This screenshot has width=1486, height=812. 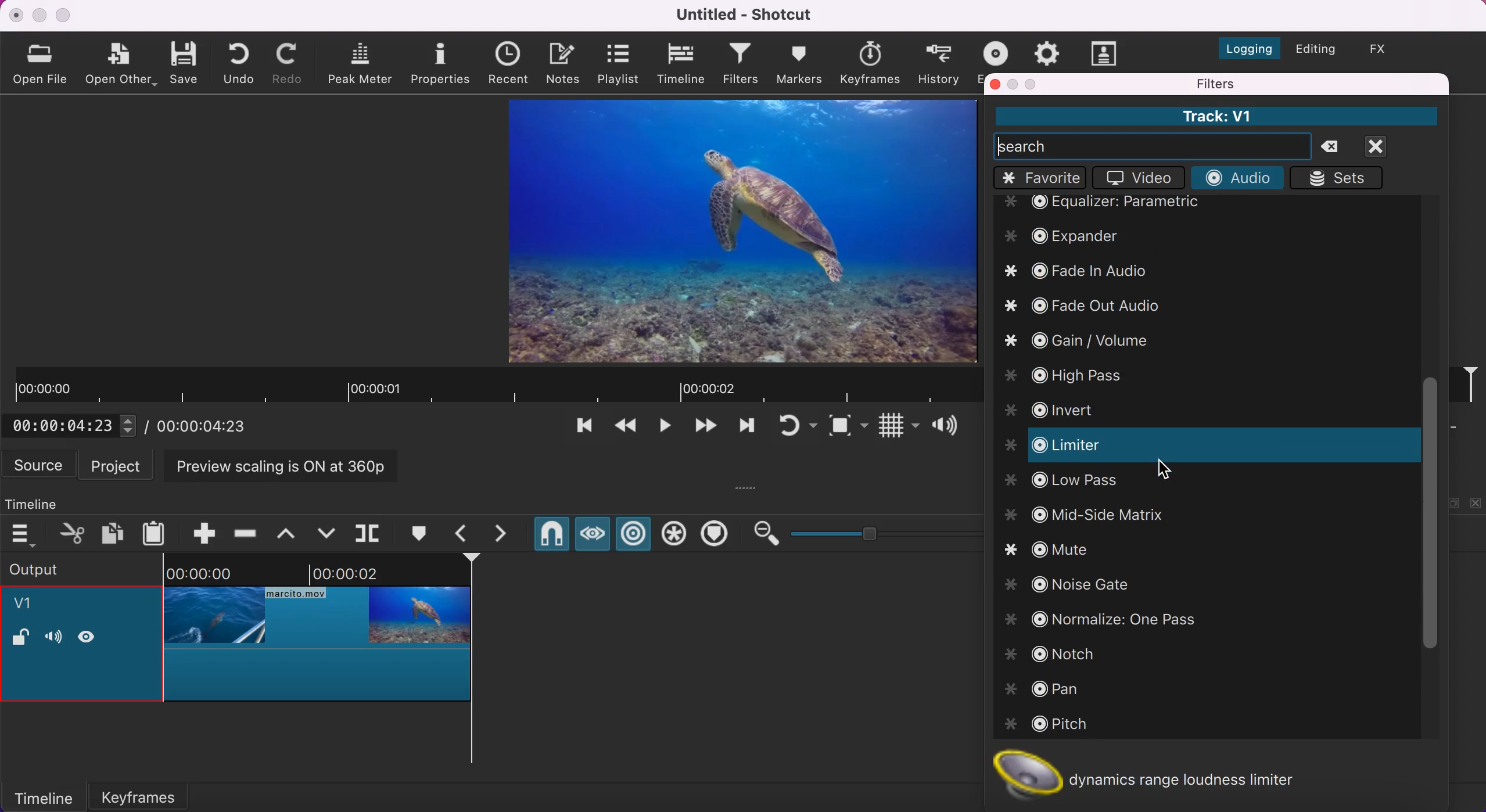 I want to click on fade in audio, so click(x=1078, y=269).